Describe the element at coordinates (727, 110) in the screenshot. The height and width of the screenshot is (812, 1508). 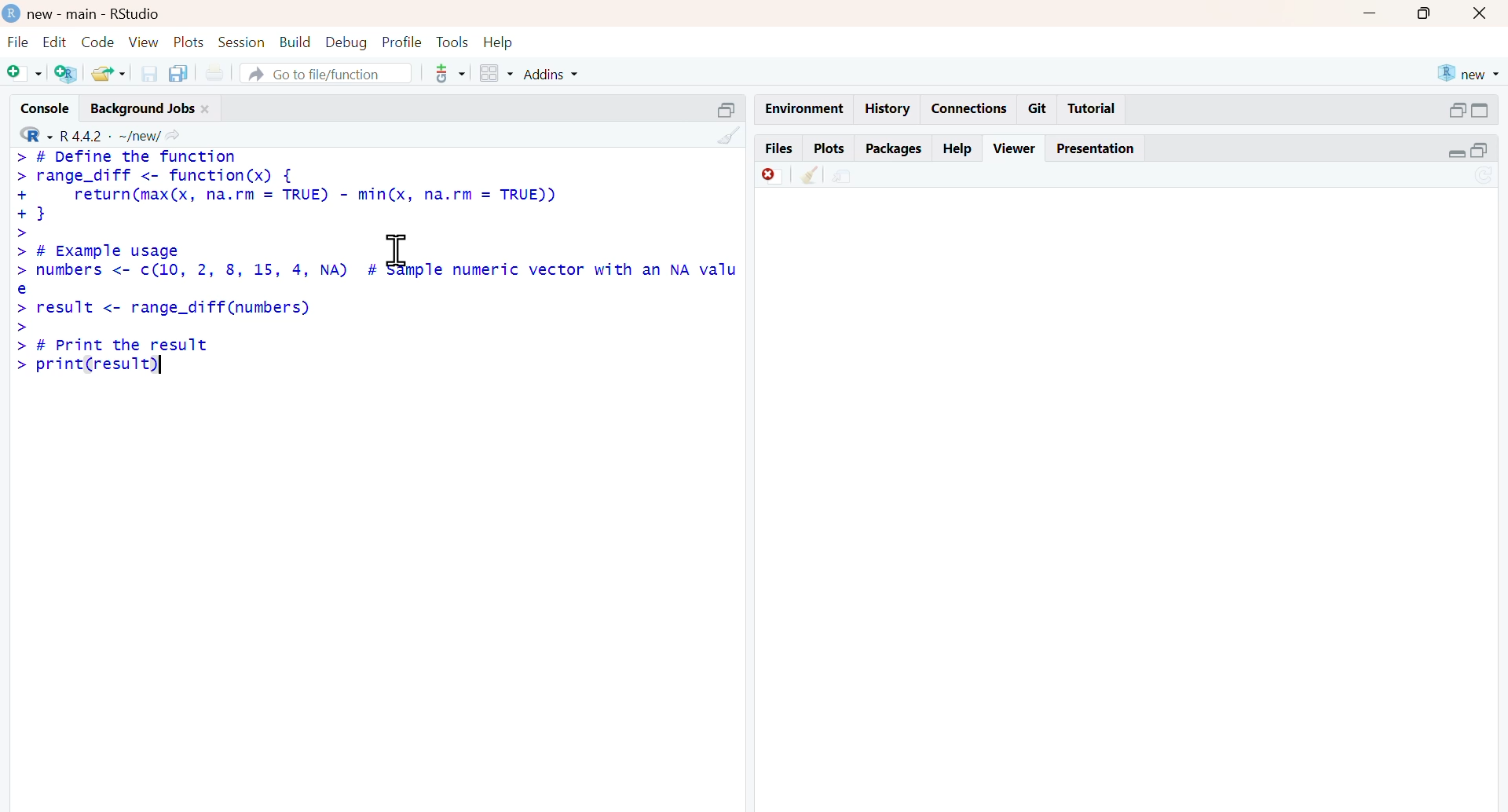
I see `` at that location.